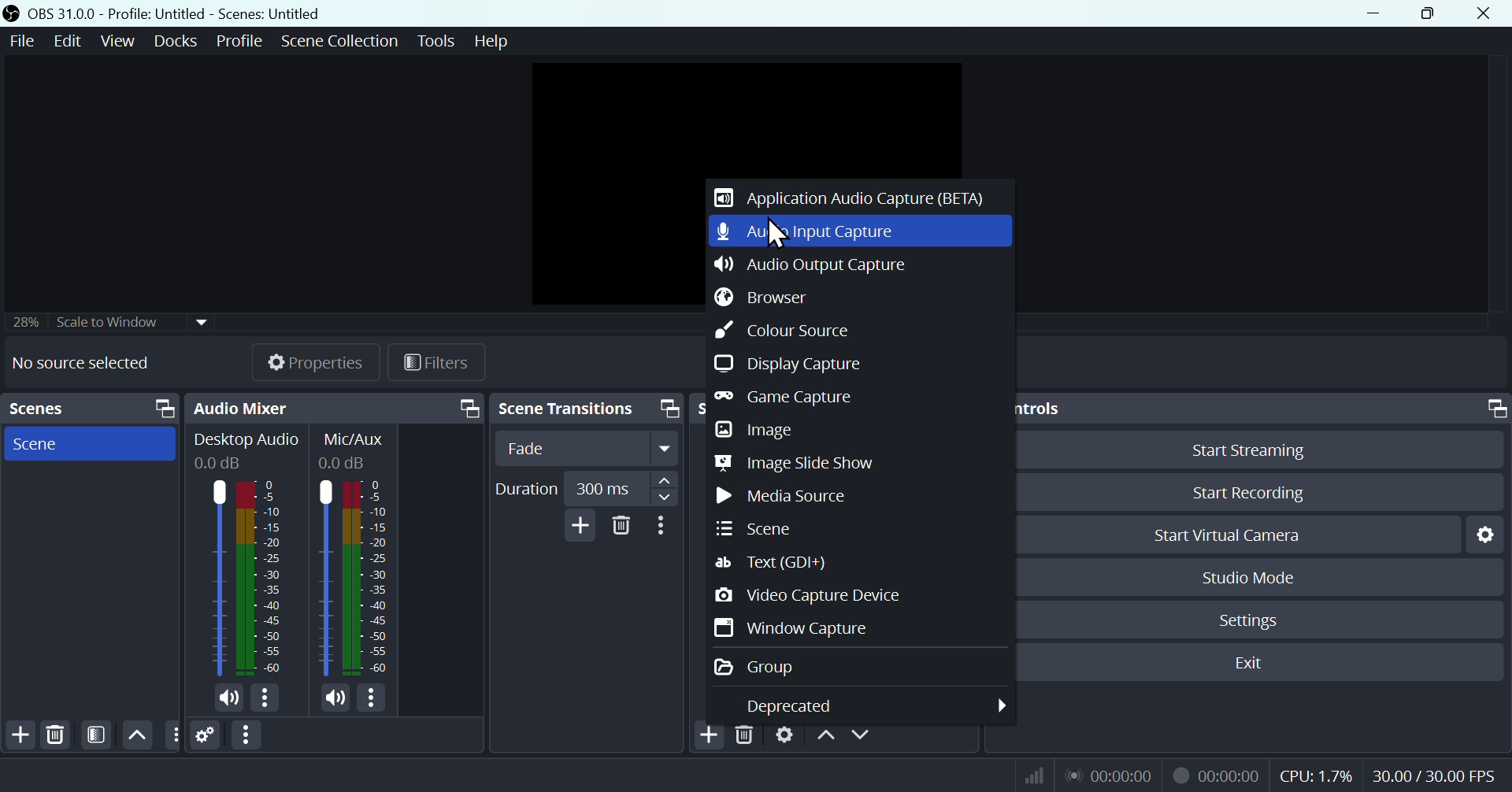 The width and height of the screenshot is (1512, 792). Describe the element at coordinates (765, 667) in the screenshot. I see `Group` at that location.